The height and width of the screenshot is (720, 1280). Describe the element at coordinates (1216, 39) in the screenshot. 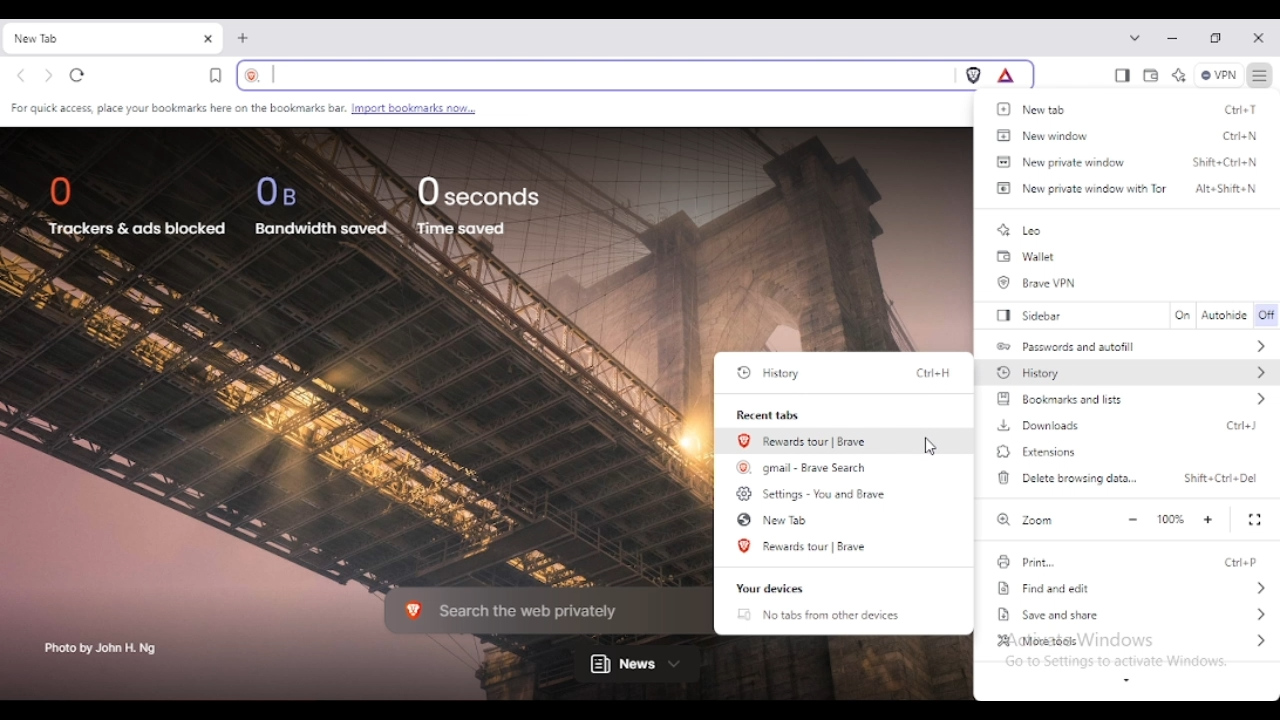

I see `maximize` at that location.